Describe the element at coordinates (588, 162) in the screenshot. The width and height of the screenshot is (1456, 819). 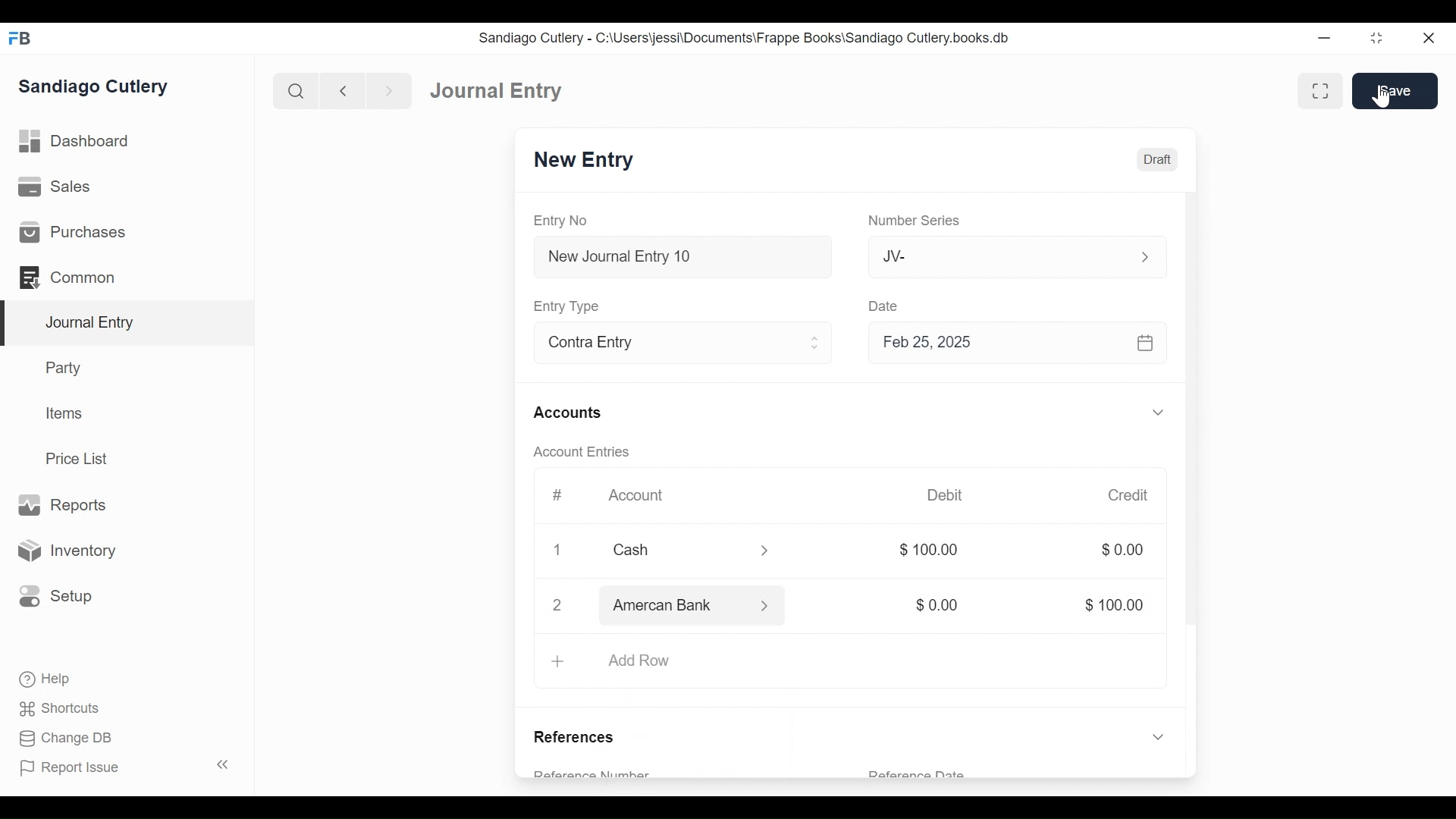
I see `New Entry` at that location.